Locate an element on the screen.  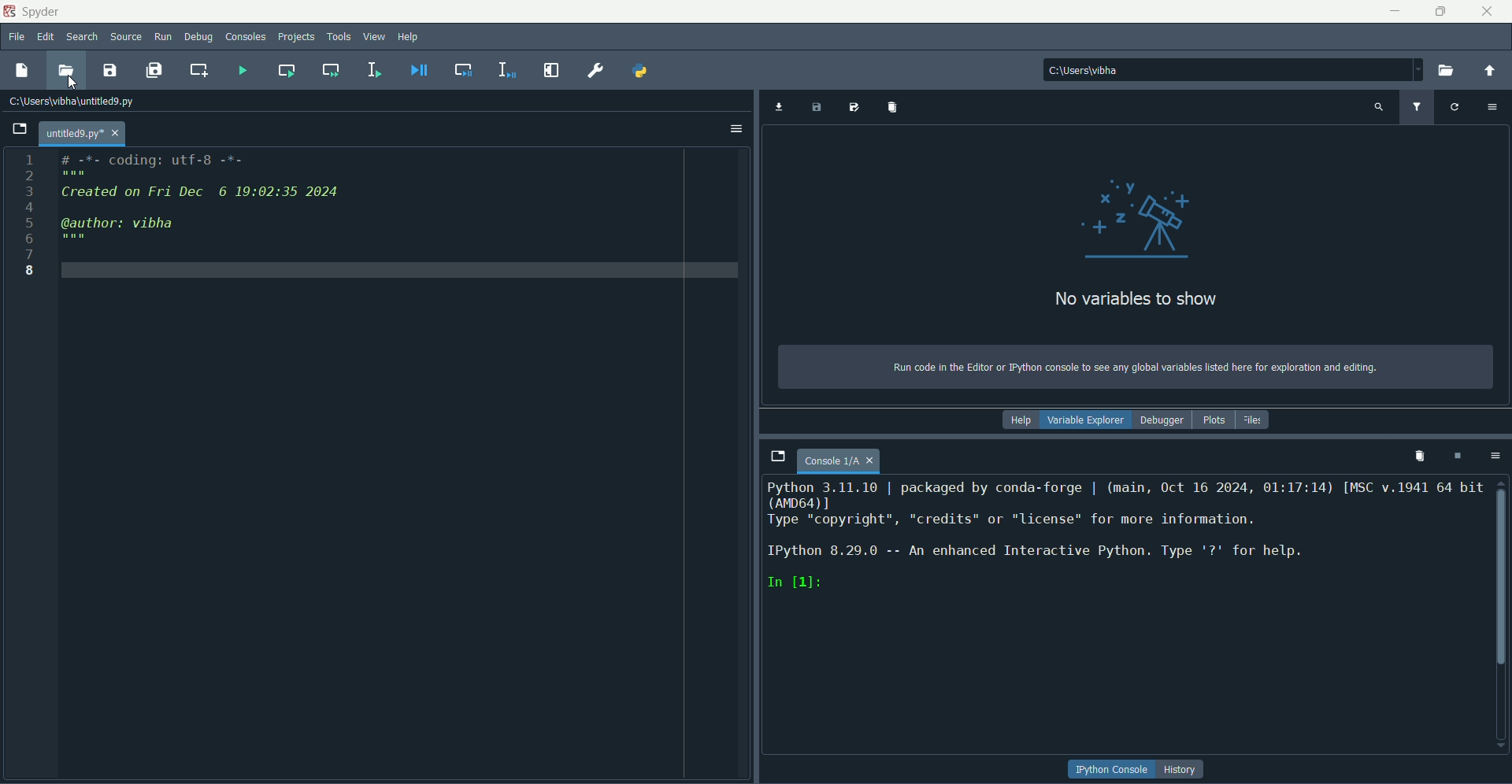
pythonpath manager is located at coordinates (642, 72).